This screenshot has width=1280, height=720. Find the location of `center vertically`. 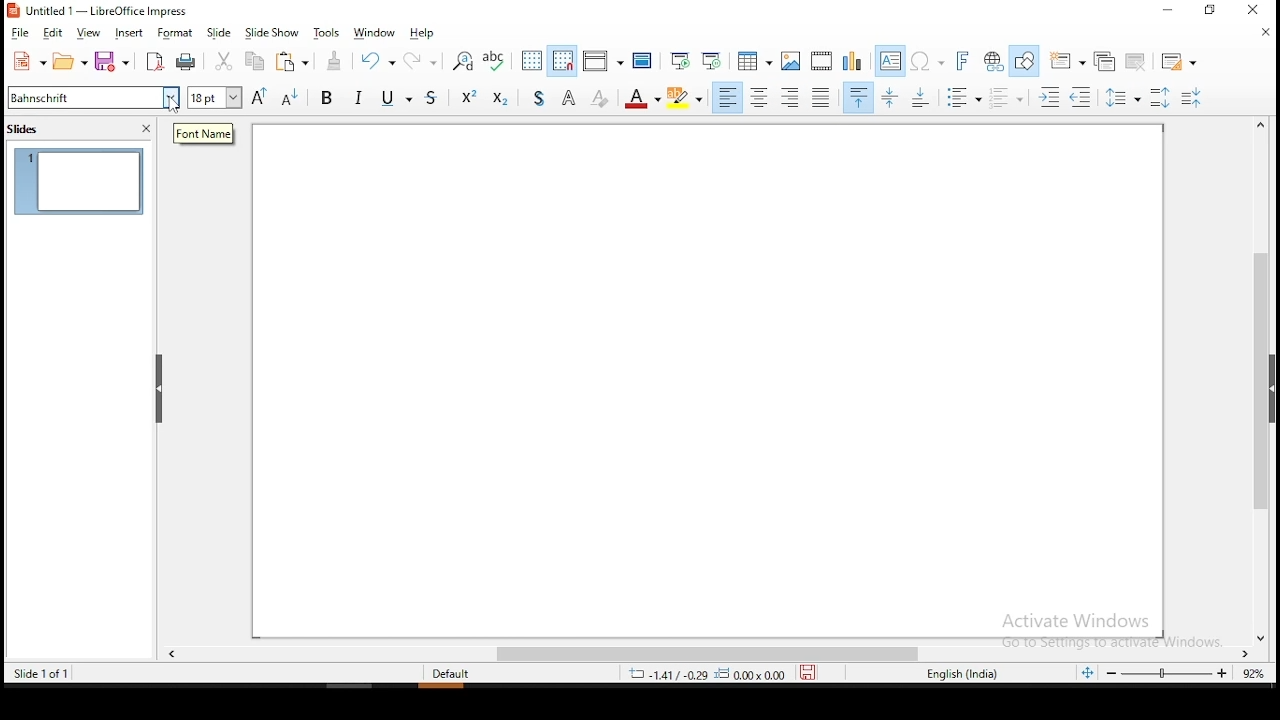

center vertically is located at coordinates (891, 96).